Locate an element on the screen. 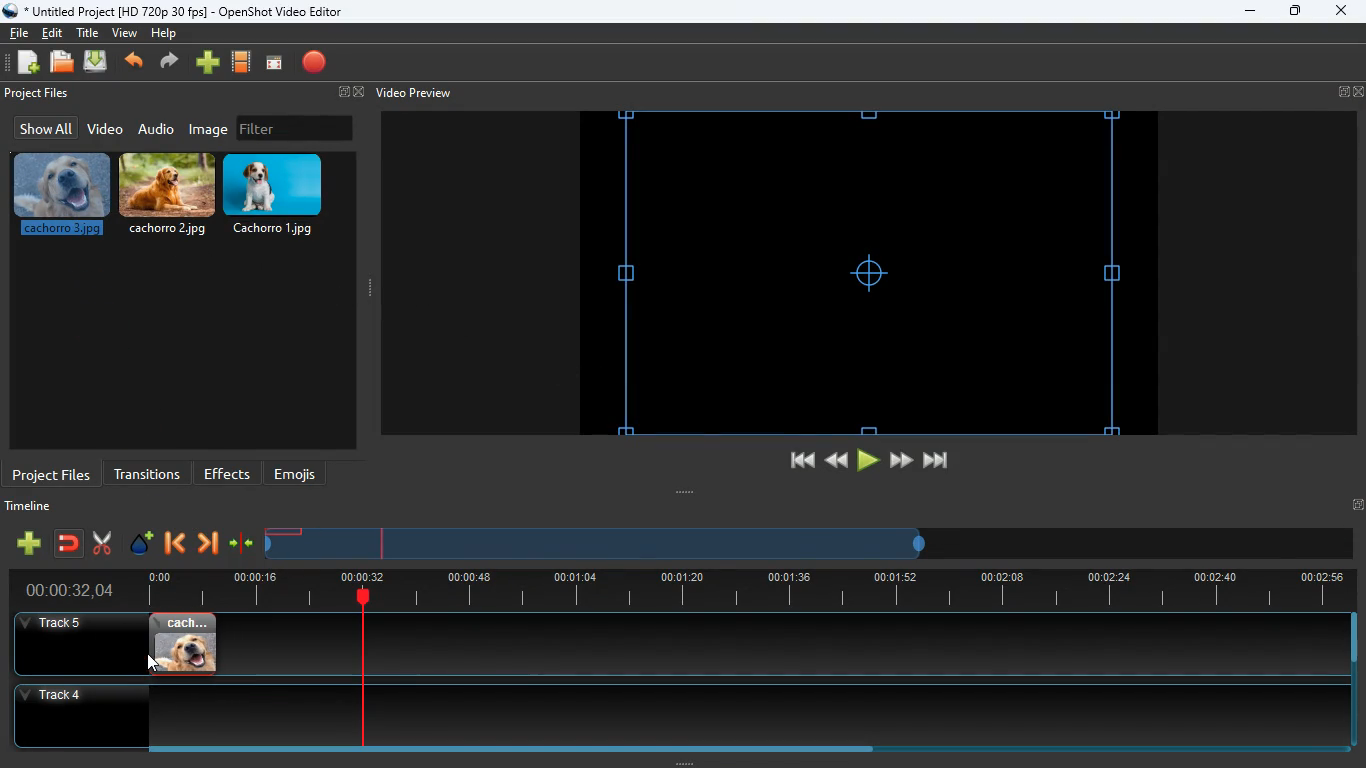 This screenshot has width=1366, height=768. record is located at coordinates (316, 64).